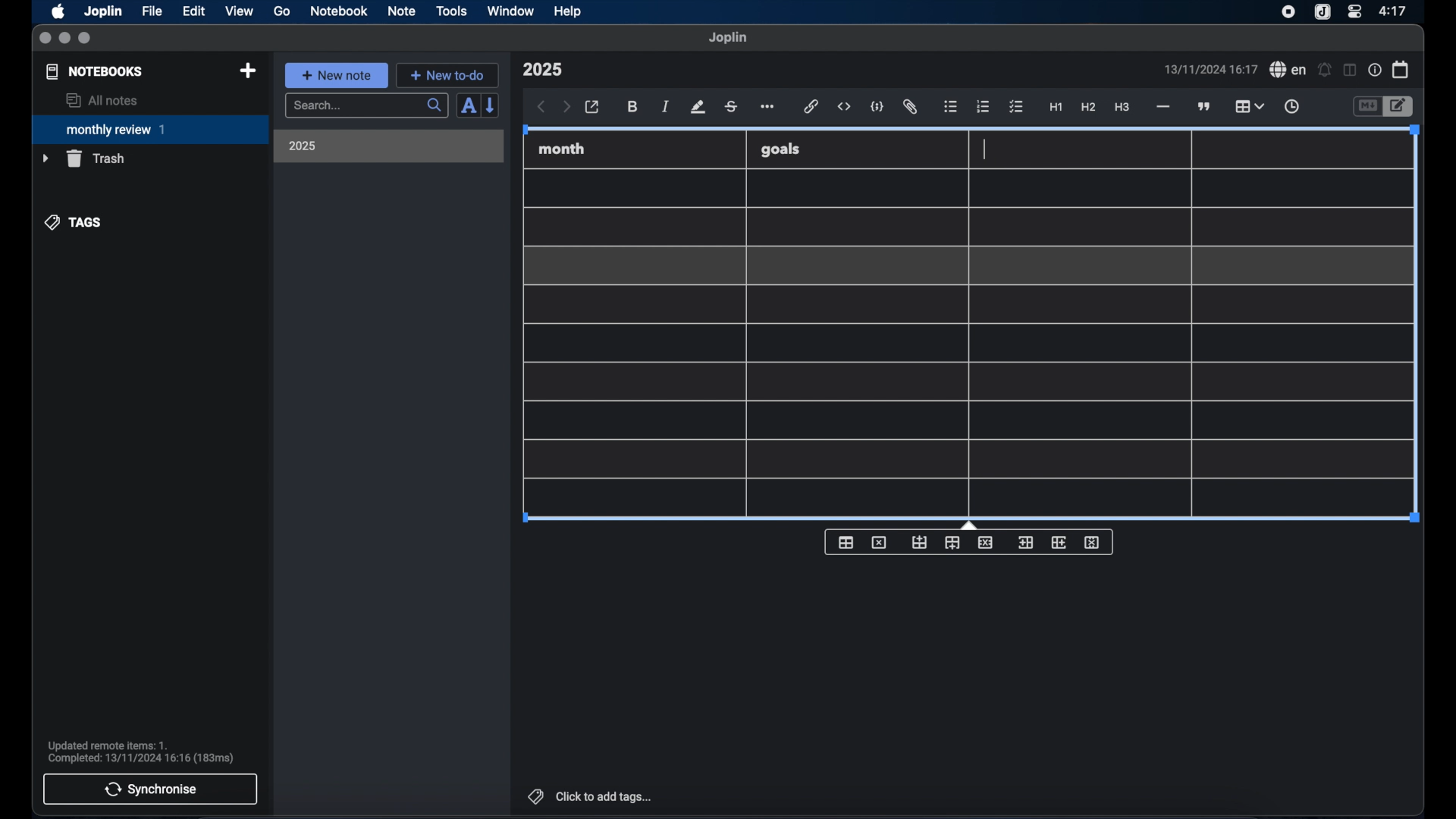 The image size is (1456, 819). What do you see at coordinates (846, 542) in the screenshot?
I see `insert table` at bounding box center [846, 542].